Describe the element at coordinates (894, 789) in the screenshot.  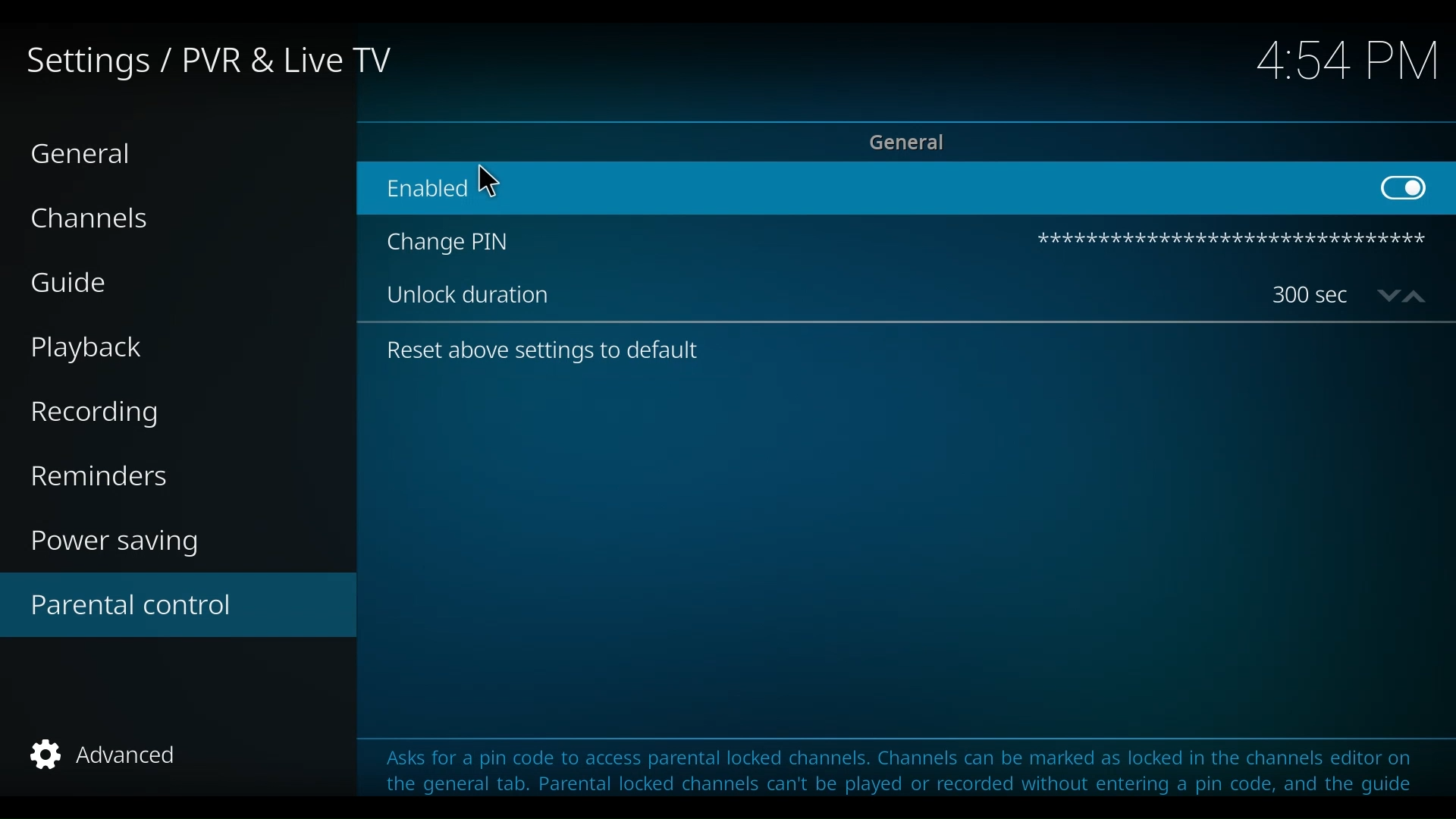
I see `the general tab. Parental locked channels can be played or recorded without entering a pin code and the guide` at that location.